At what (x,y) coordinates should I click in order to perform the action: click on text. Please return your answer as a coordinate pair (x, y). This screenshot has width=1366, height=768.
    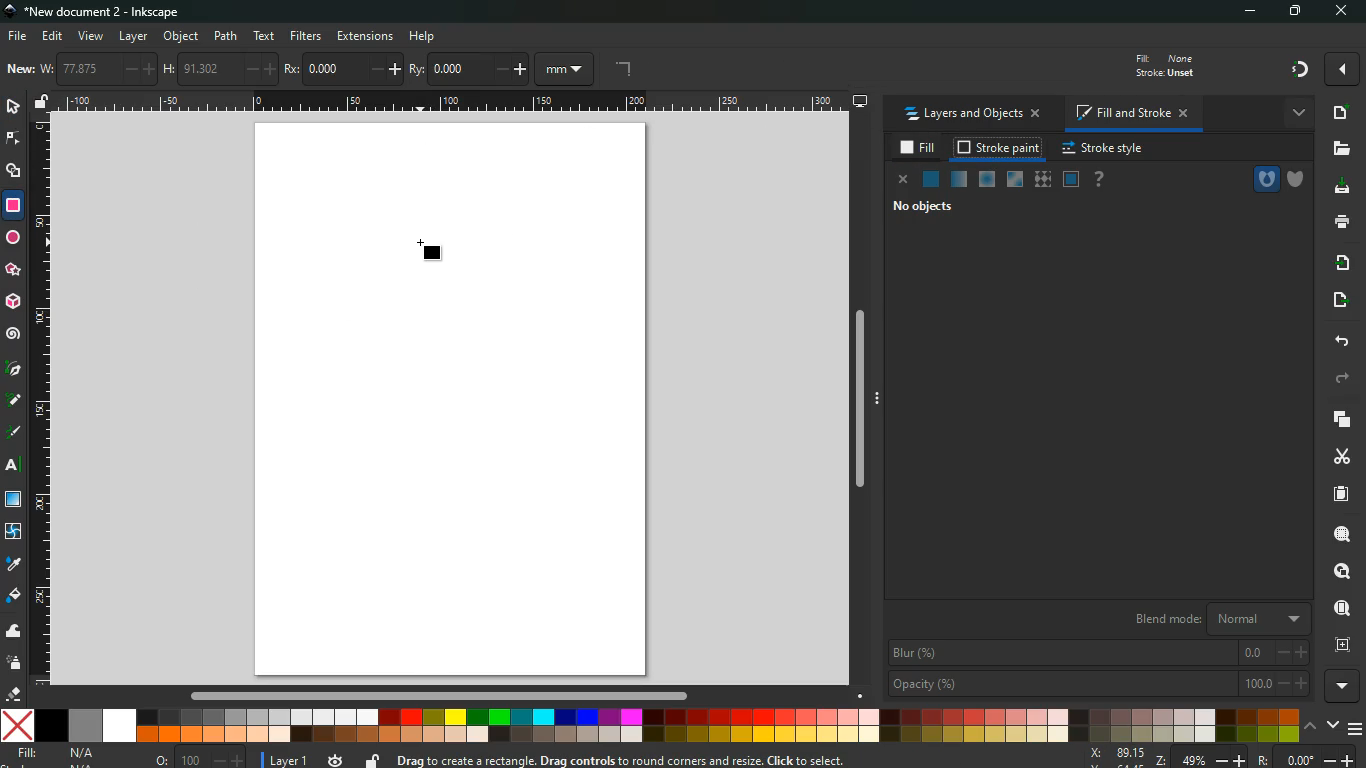
    Looking at the image, I should click on (15, 467).